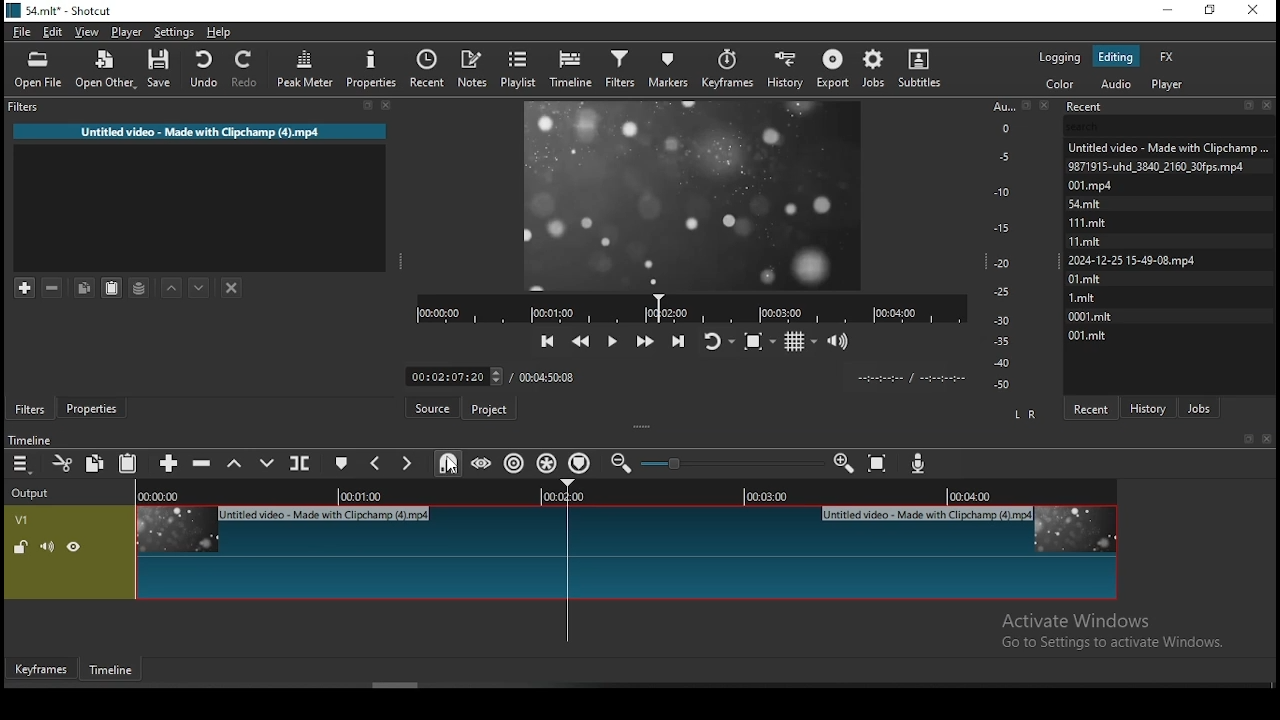 This screenshot has width=1280, height=720. I want to click on toggle grid display on the player, so click(801, 341).